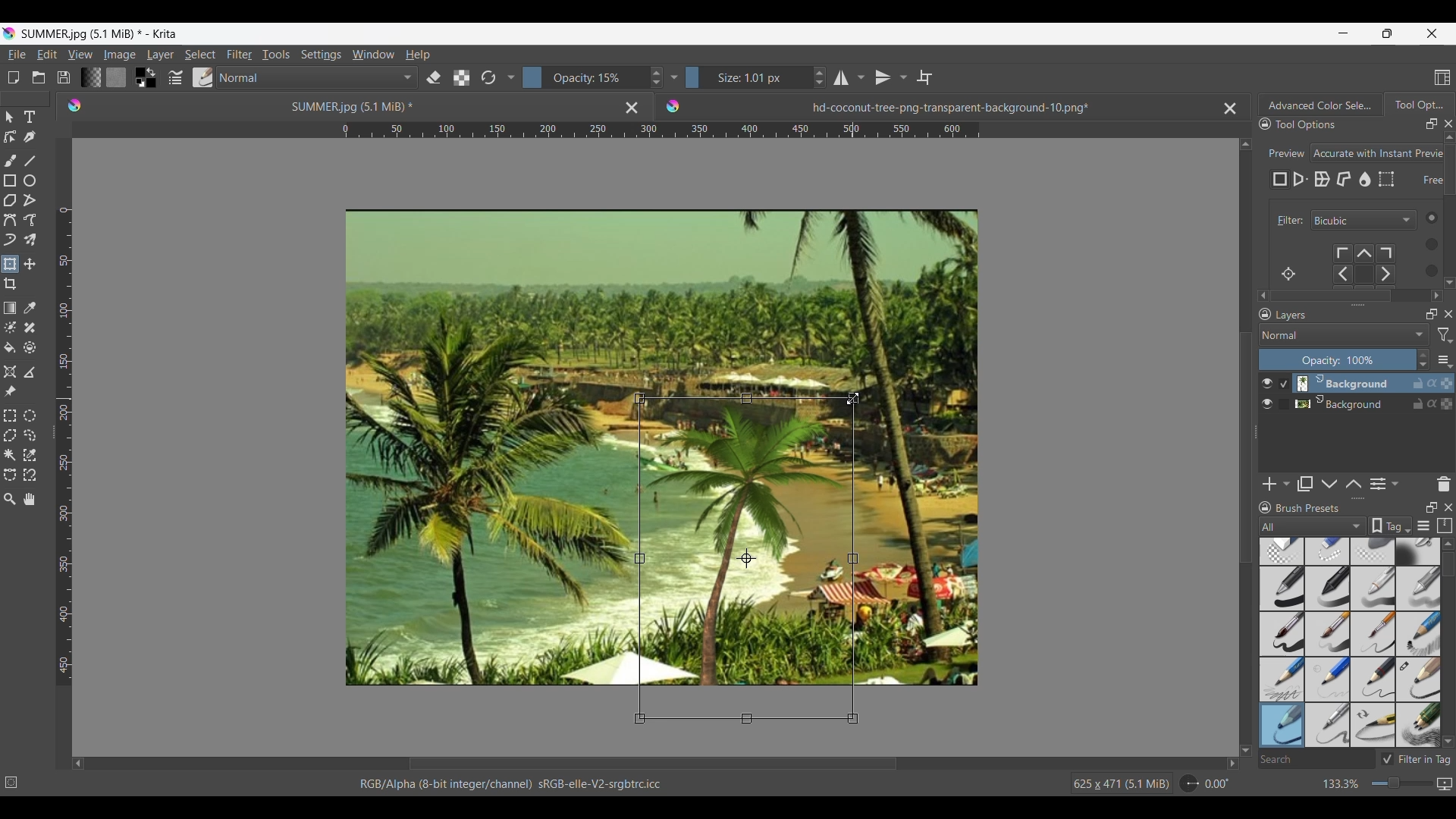  I want to click on Assistant tool, so click(10, 372).